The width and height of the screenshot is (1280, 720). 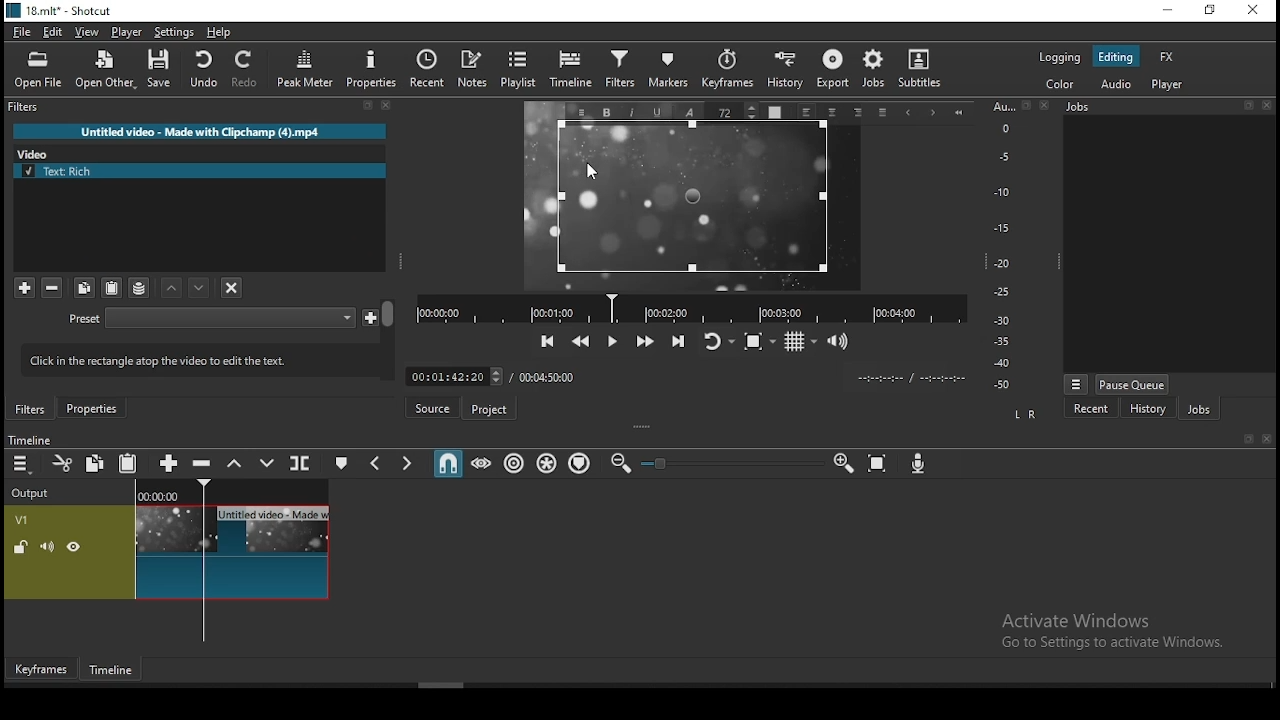 I want to click on settings, so click(x=173, y=33).